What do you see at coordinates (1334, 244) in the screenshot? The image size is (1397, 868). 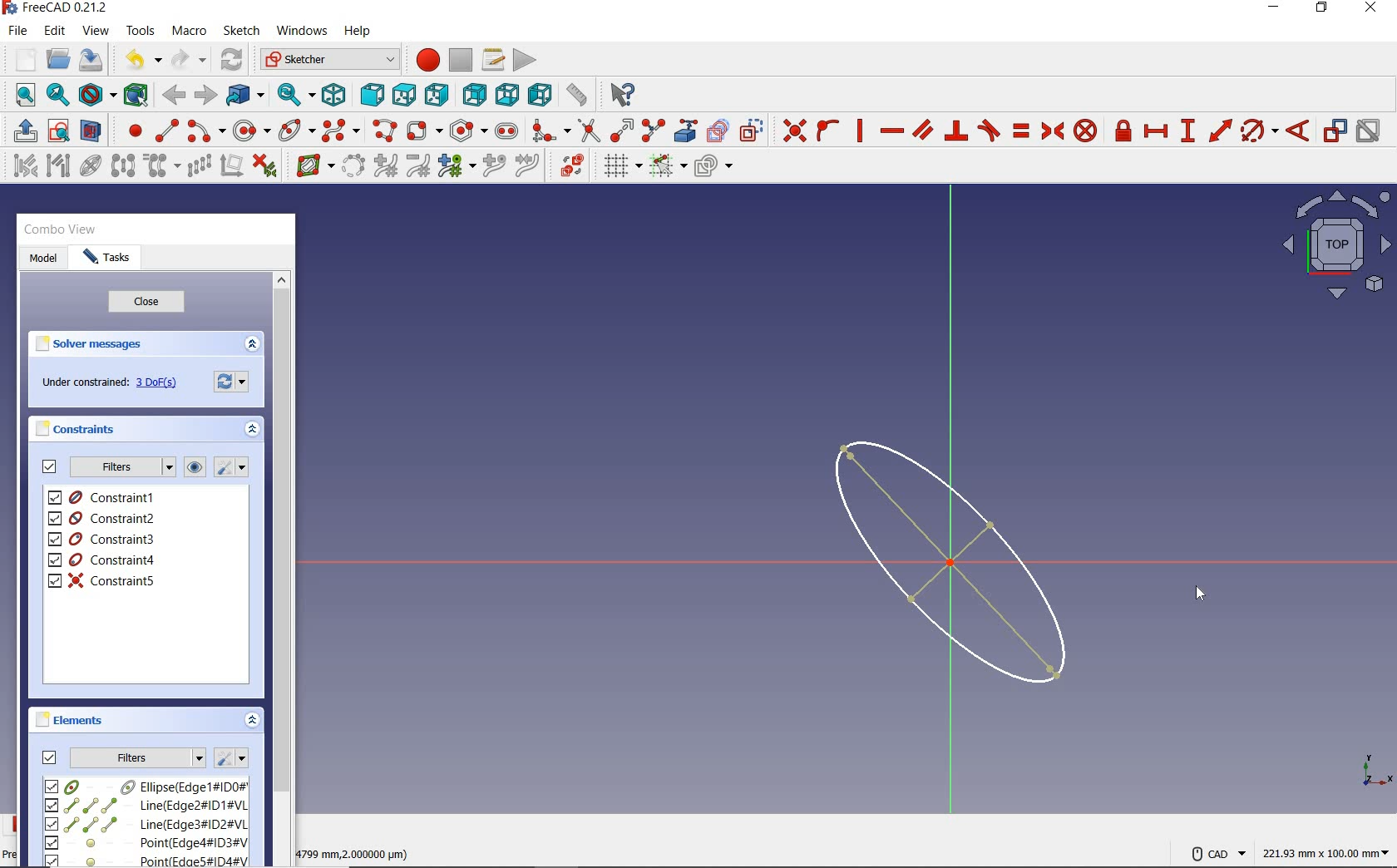 I see `sketch view` at bounding box center [1334, 244].